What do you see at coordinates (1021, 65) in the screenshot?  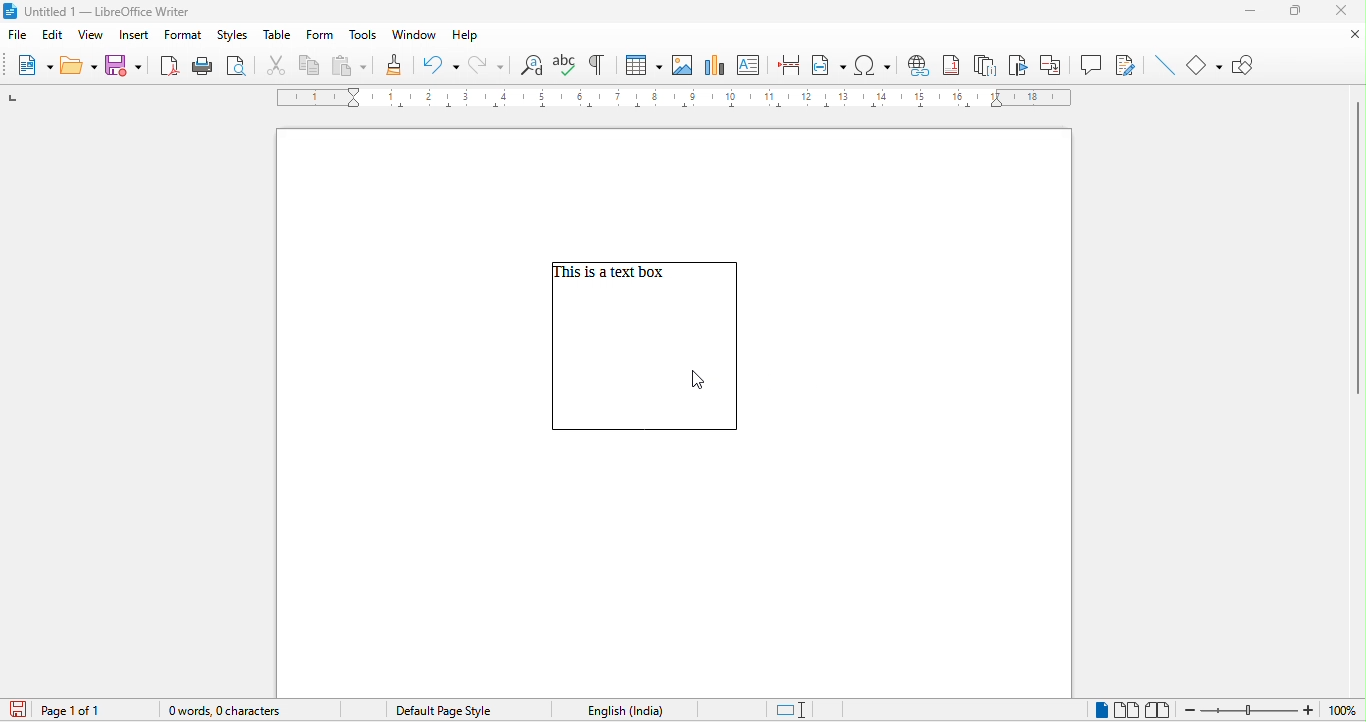 I see `bookmark` at bounding box center [1021, 65].